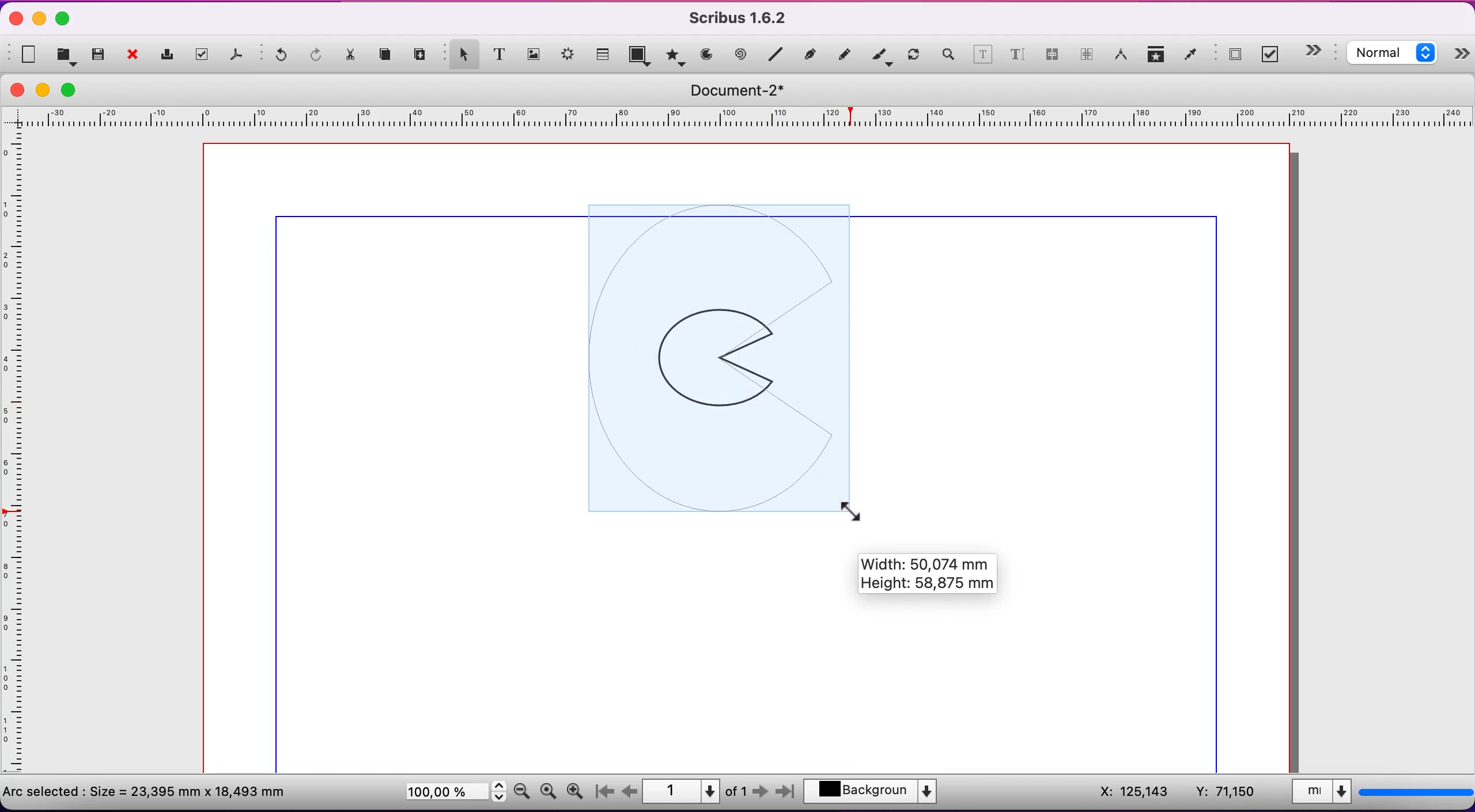  What do you see at coordinates (170, 55) in the screenshot?
I see `print` at bounding box center [170, 55].